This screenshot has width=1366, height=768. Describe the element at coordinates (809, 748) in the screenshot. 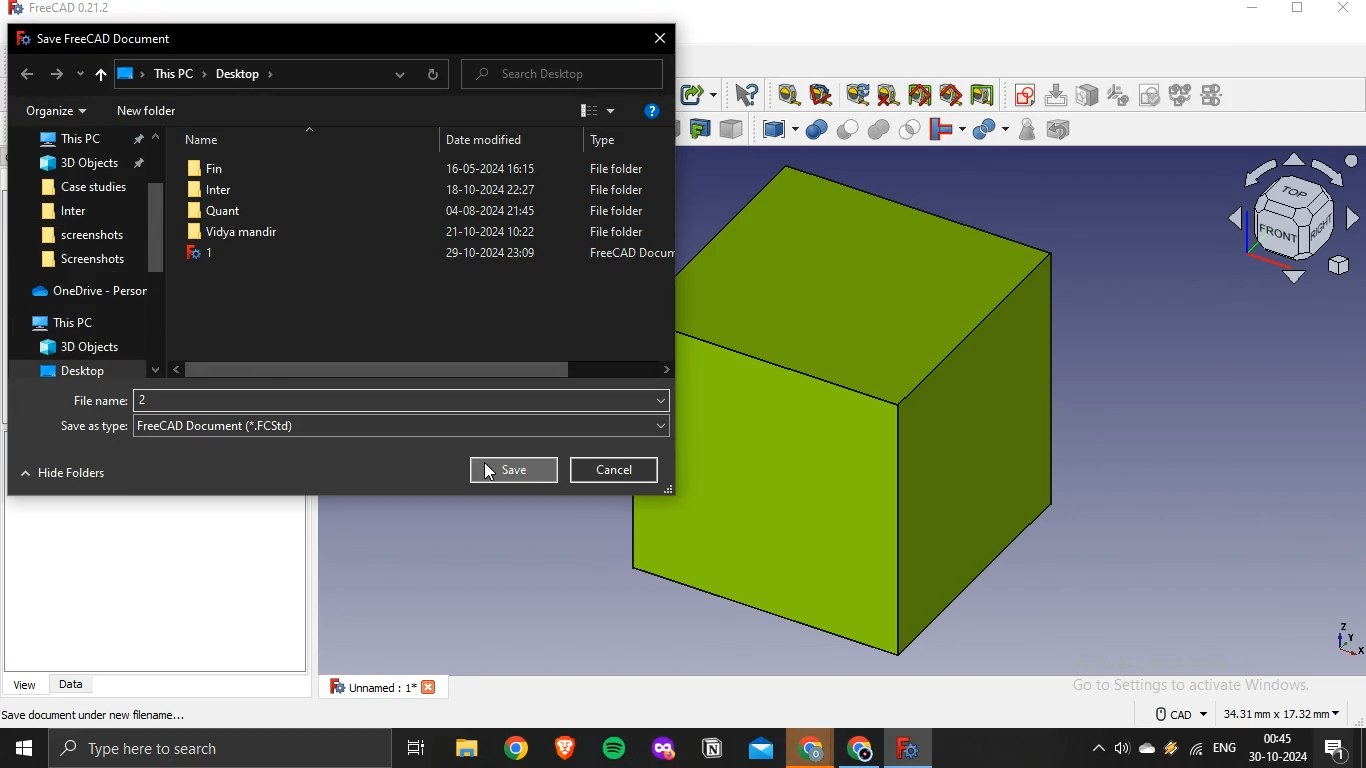

I see `google crome` at that location.